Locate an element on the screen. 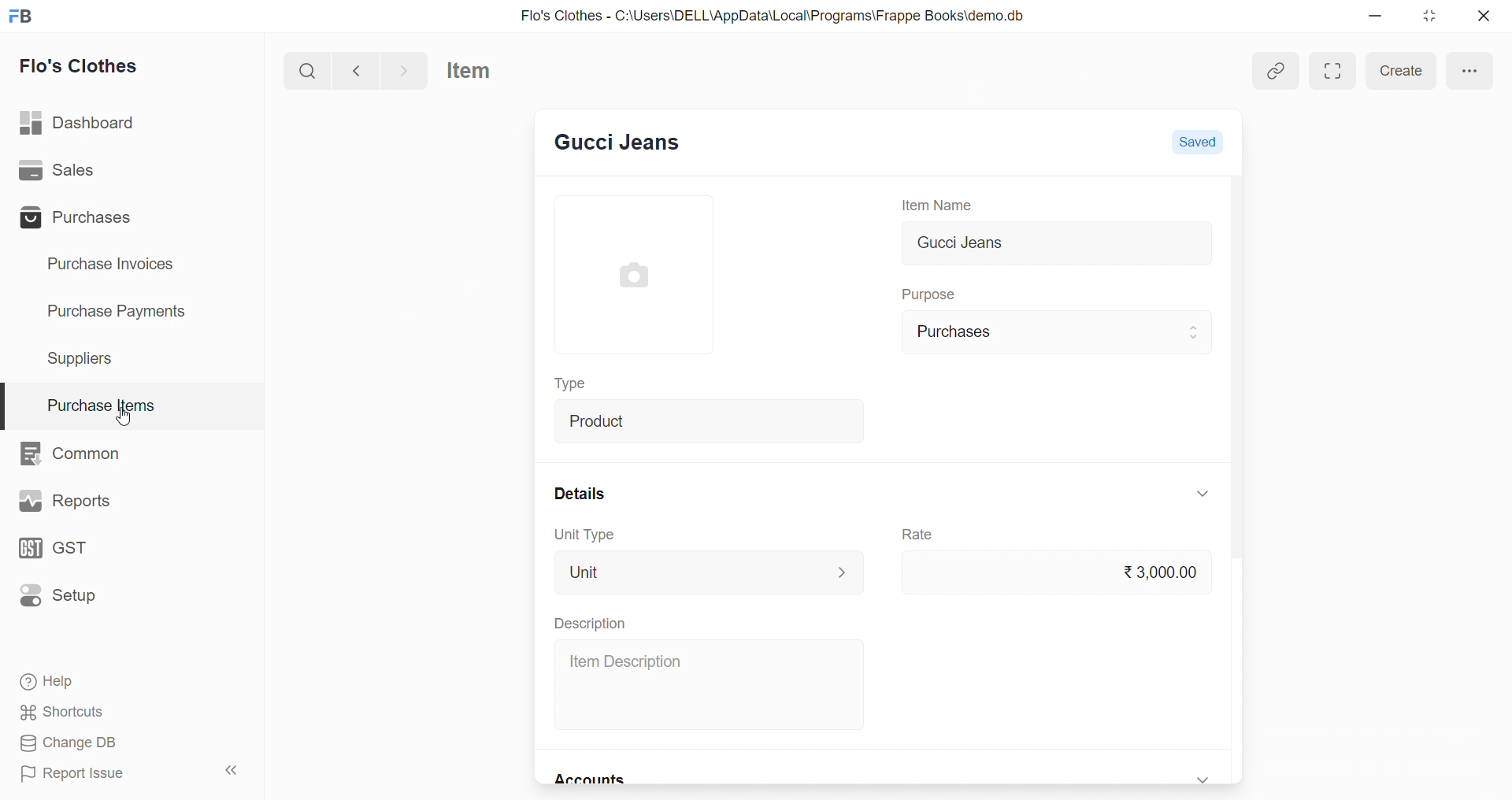 The width and height of the screenshot is (1512, 800). collapse sidebar is located at coordinates (238, 772).